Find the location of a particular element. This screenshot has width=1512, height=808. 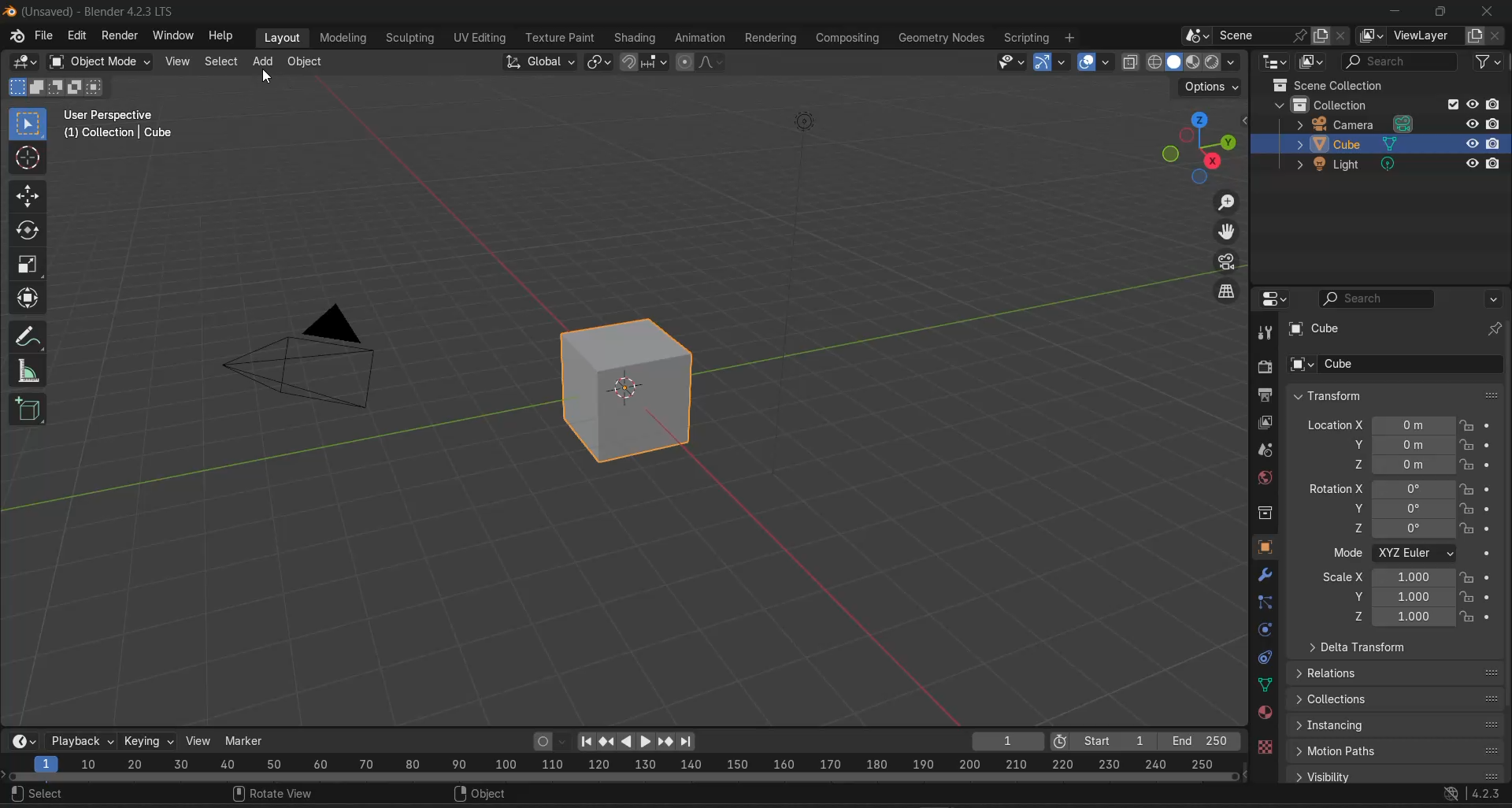

location z is located at coordinates (1401, 465).